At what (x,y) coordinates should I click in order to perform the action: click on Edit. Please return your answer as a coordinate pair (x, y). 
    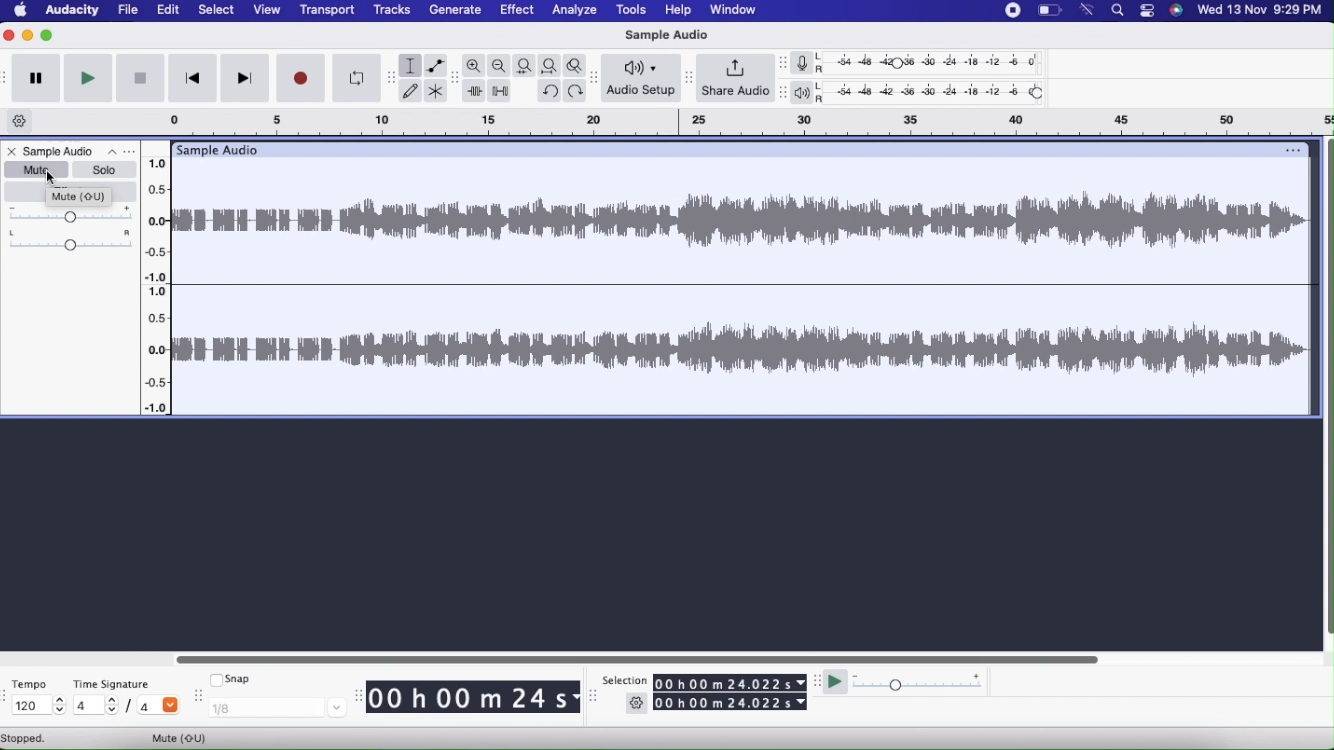
    Looking at the image, I should click on (169, 11).